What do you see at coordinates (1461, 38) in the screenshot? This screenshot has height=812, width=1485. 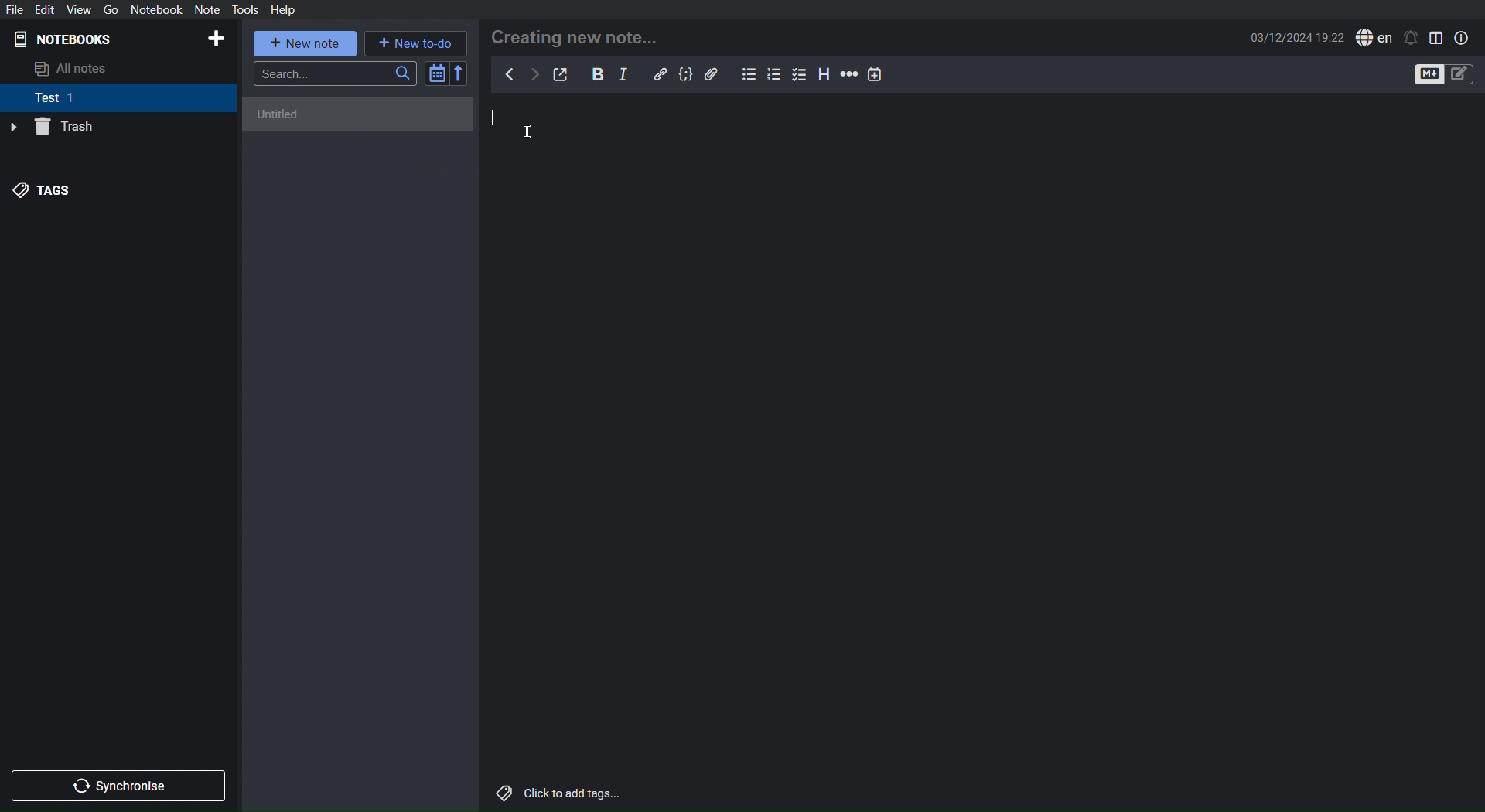 I see `Note Properties` at bounding box center [1461, 38].